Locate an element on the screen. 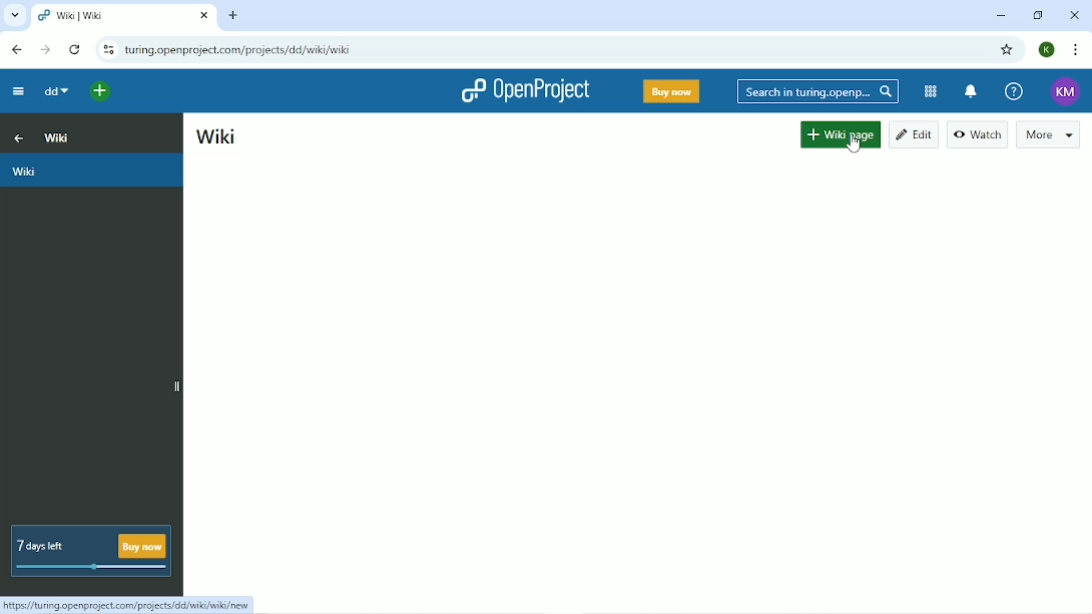 The image size is (1092, 614). Link is located at coordinates (130, 605).